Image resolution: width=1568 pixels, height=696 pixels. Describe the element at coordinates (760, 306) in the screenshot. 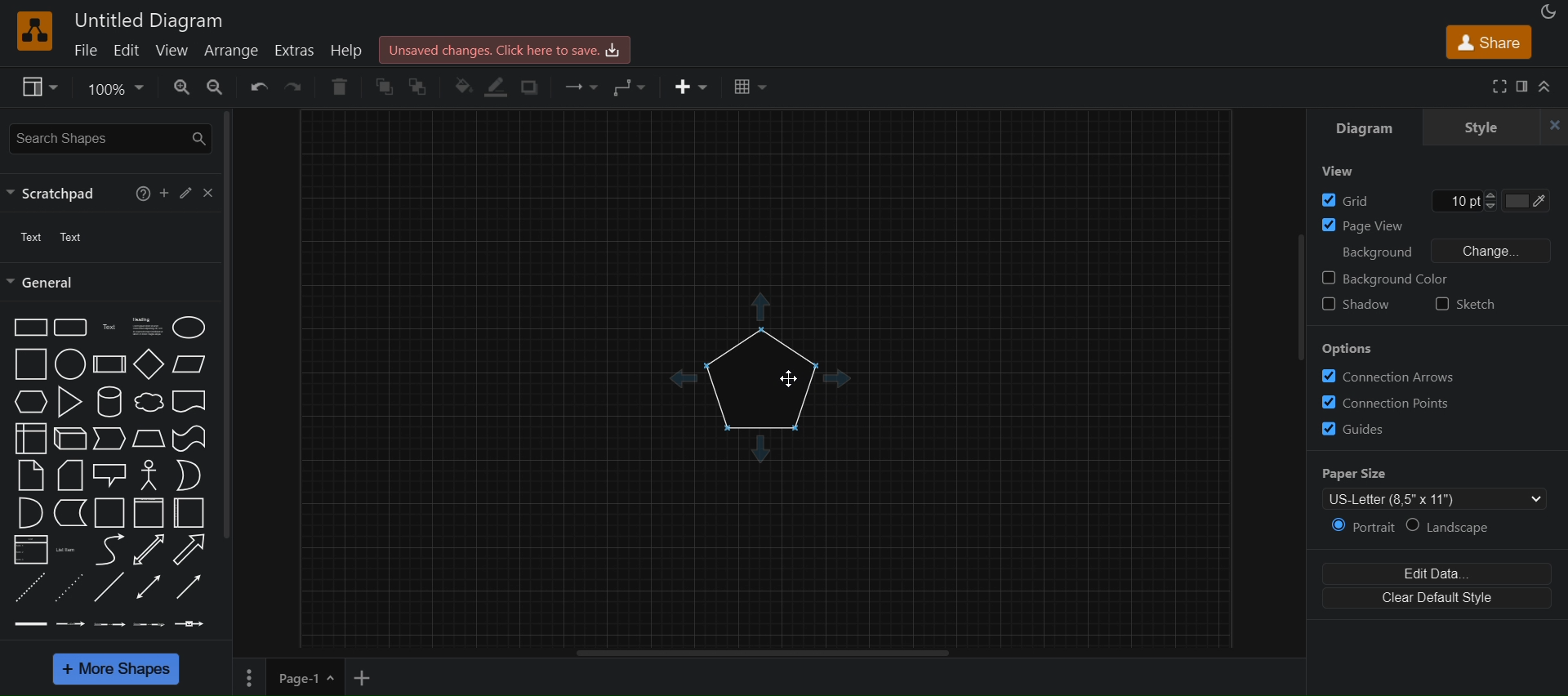

I see `Move up` at that location.